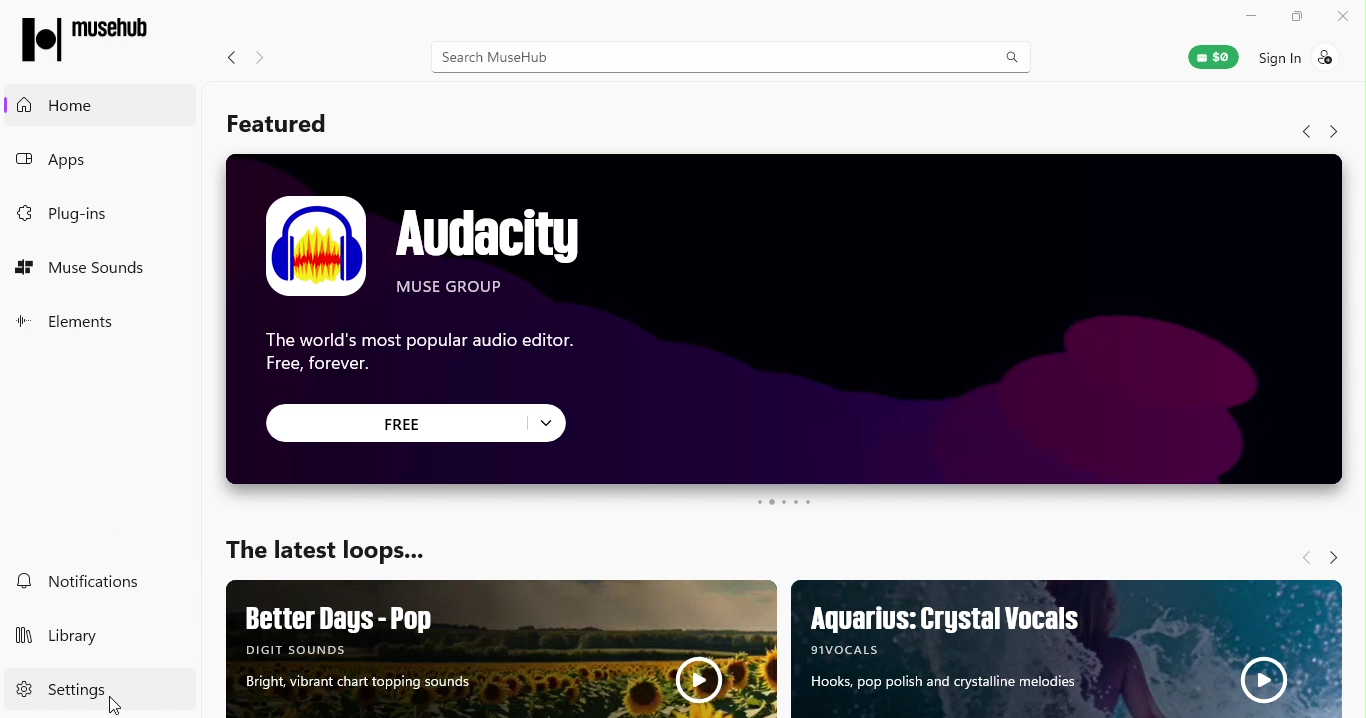  Describe the element at coordinates (57, 690) in the screenshot. I see `Settings` at that location.